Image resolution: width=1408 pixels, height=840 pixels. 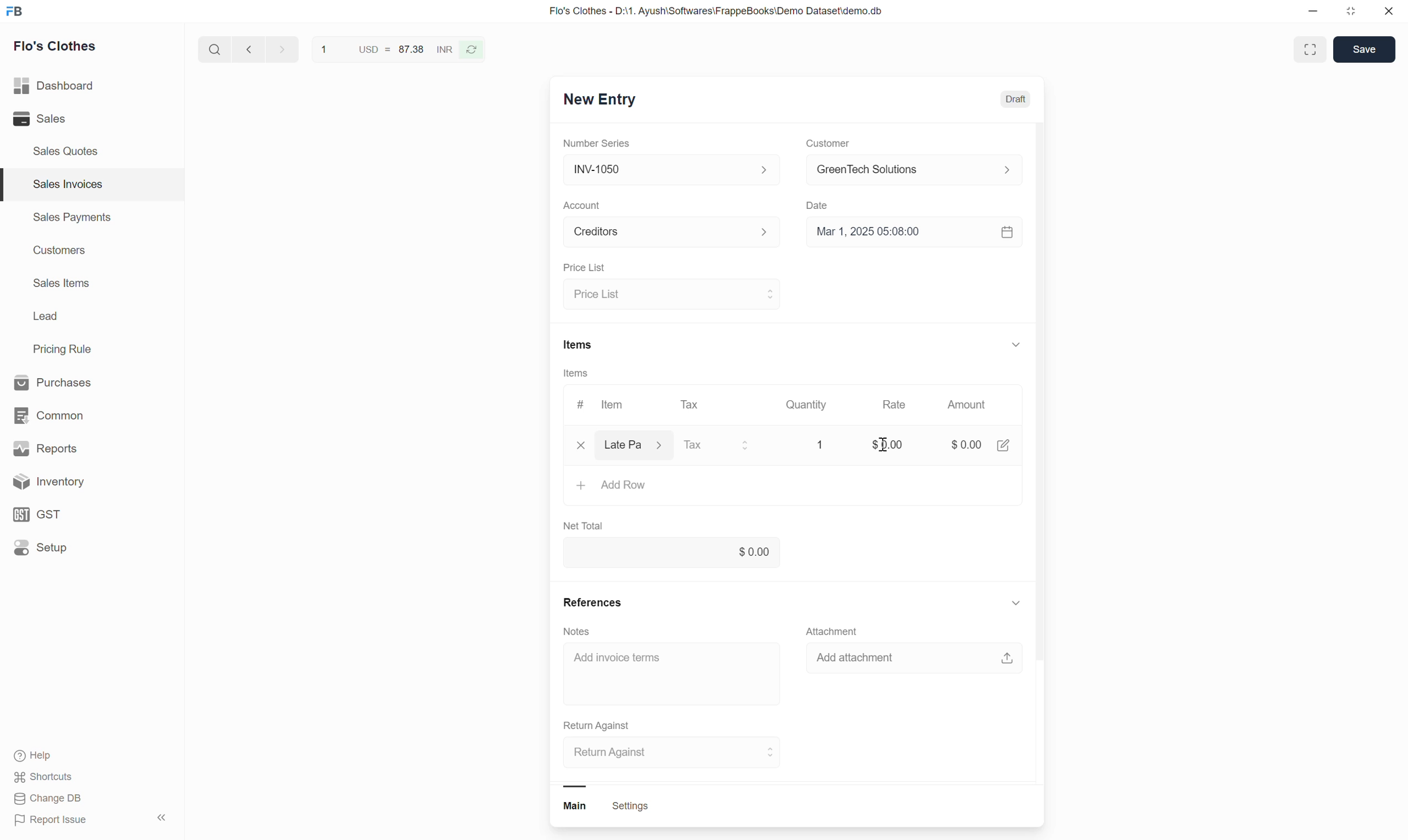 What do you see at coordinates (577, 405) in the screenshot?
I see `#` at bounding box center [577, 405].